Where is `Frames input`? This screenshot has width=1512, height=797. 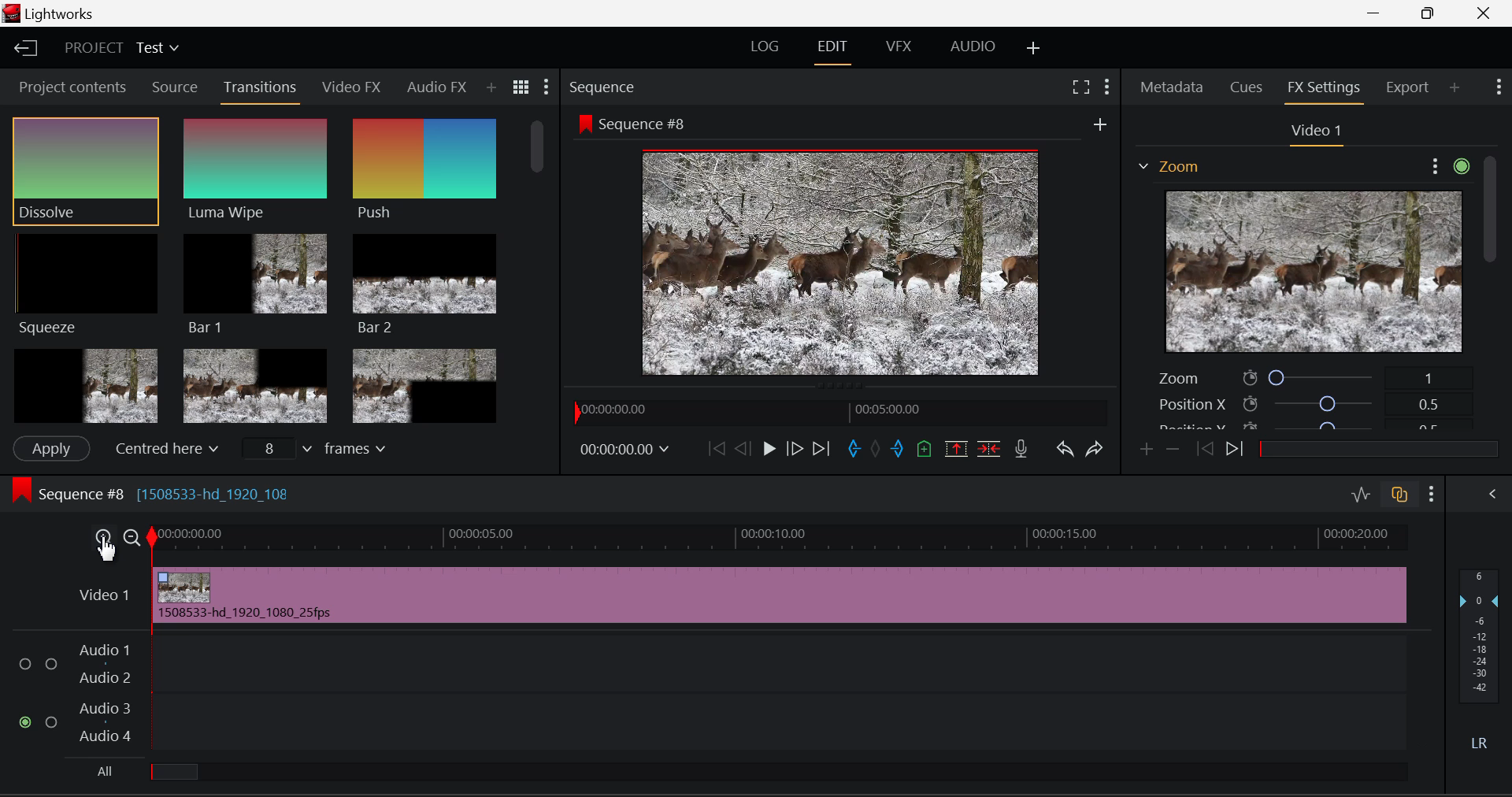
Frames input is located at coordinates (317, 447).